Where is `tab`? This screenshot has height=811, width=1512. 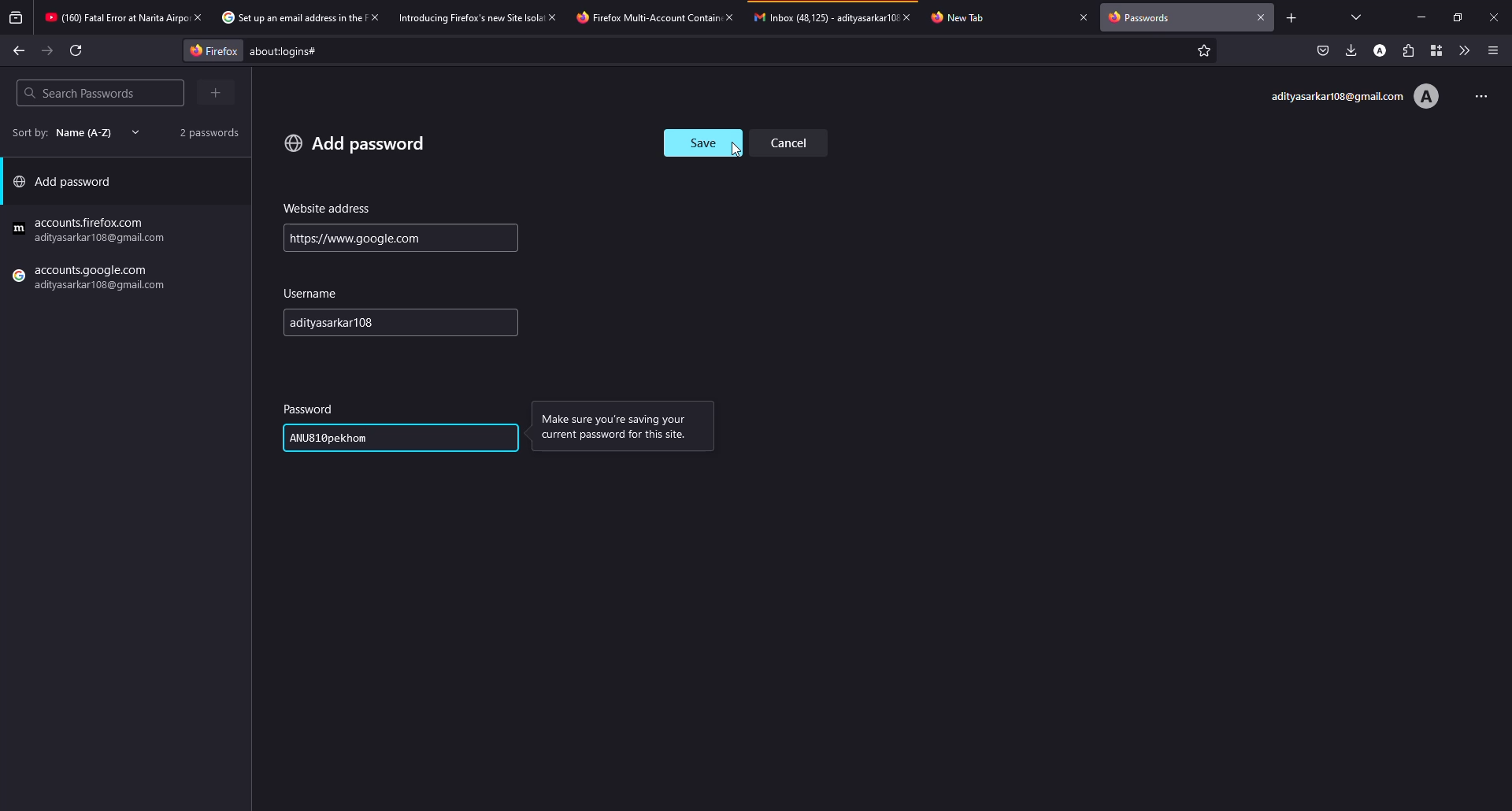 tab is located at coordinates (824, 17).